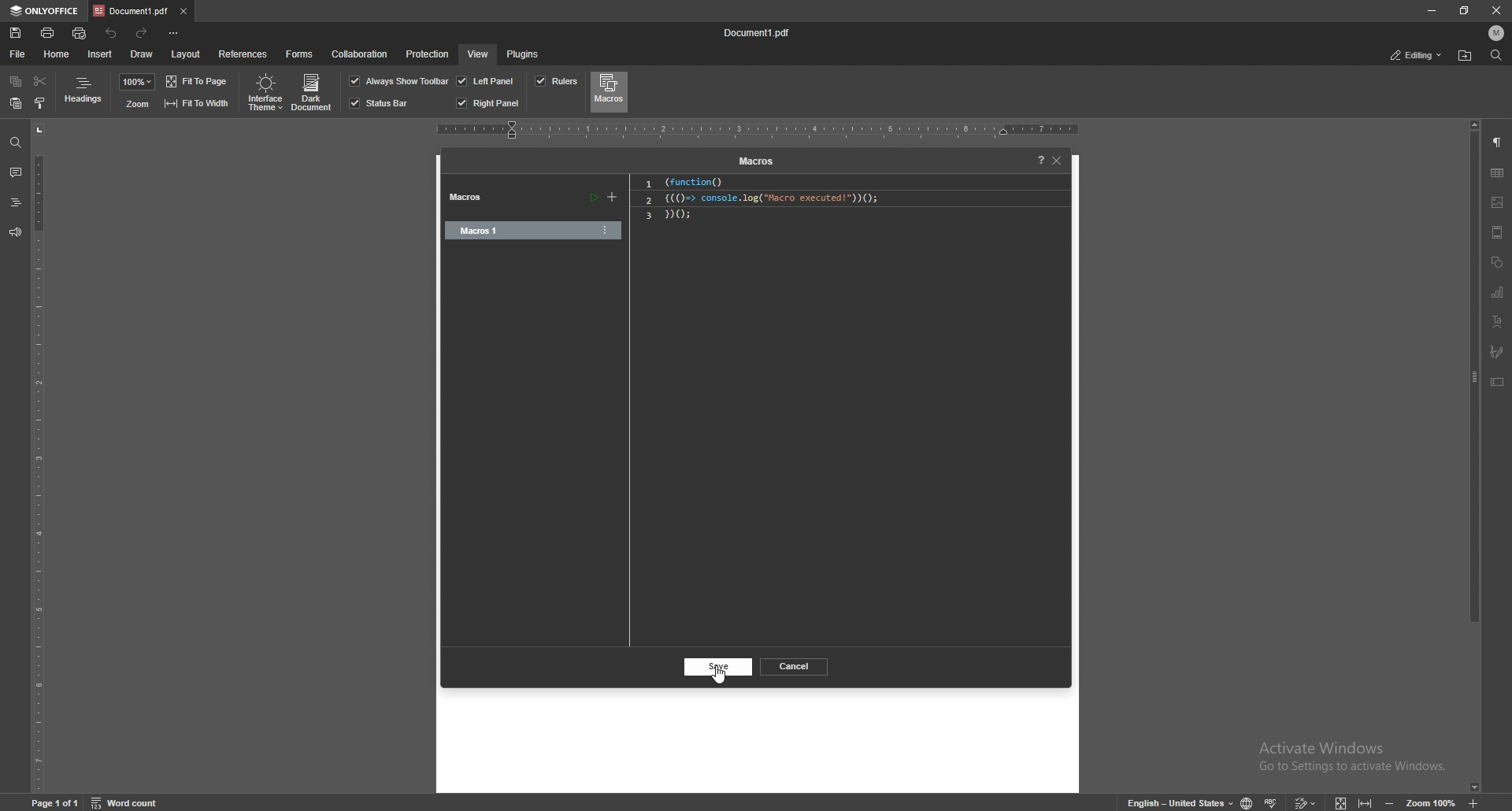 This screenshot has width=1512, height=811. I want to click on cursor, so click(720, 674).